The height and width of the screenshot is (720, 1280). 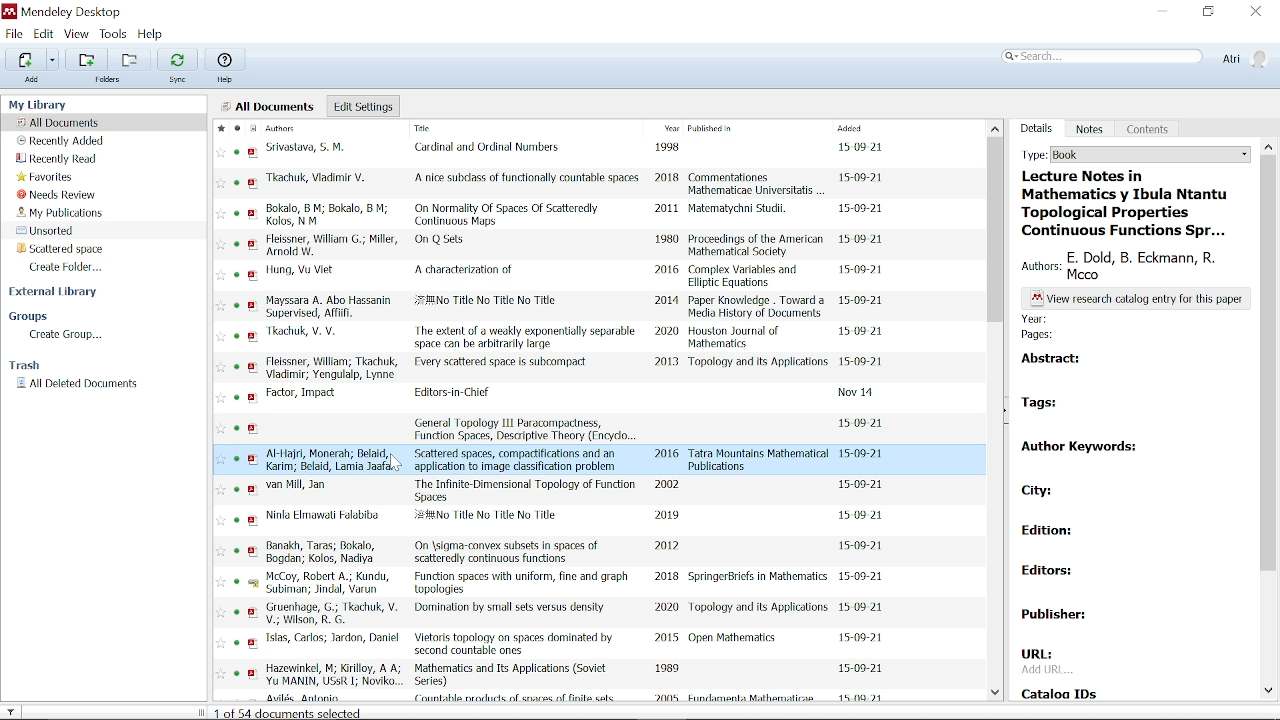 I want to click on Recently read, so click(x=57, y=160).